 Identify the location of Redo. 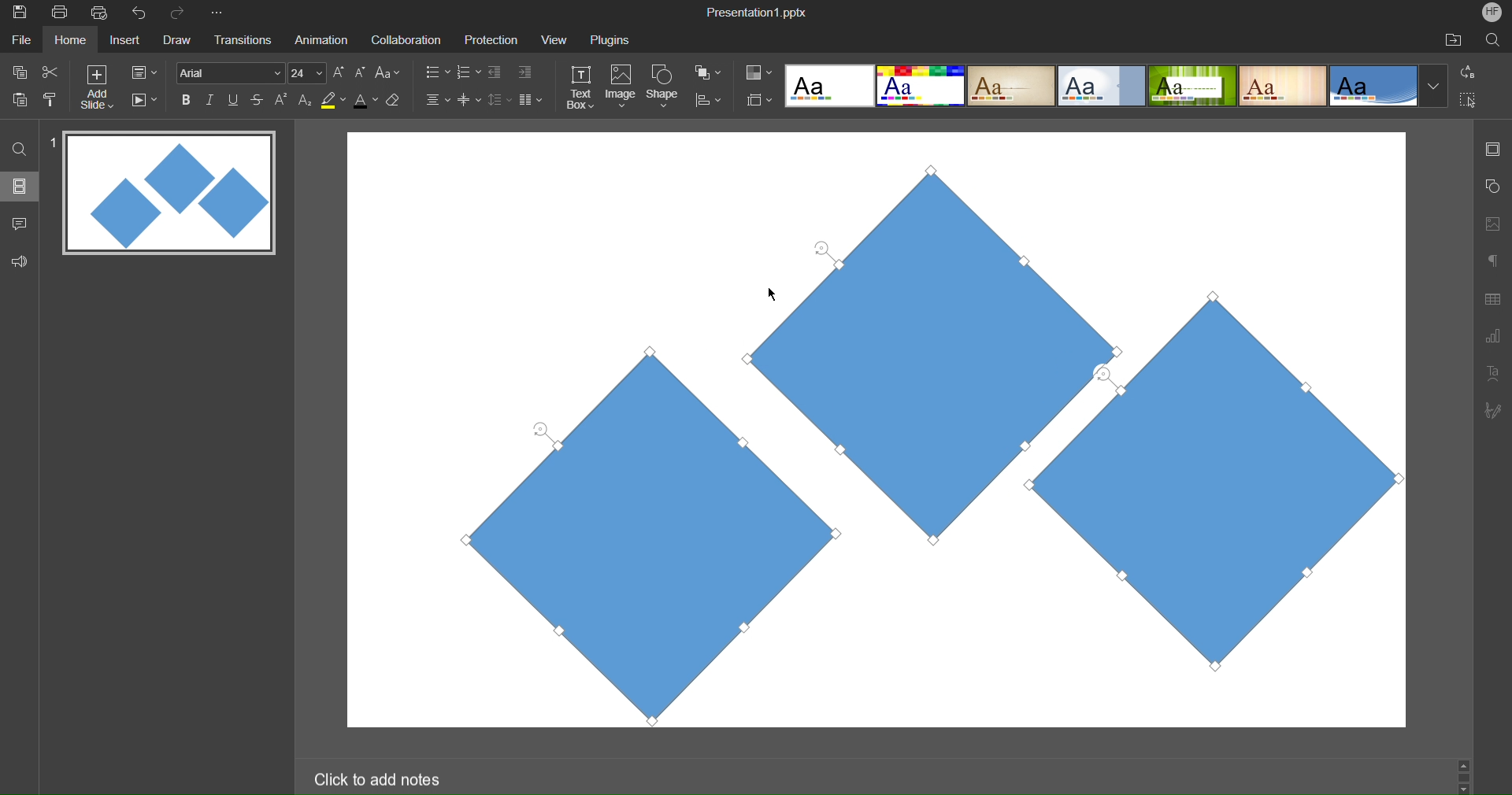
(183, 13).